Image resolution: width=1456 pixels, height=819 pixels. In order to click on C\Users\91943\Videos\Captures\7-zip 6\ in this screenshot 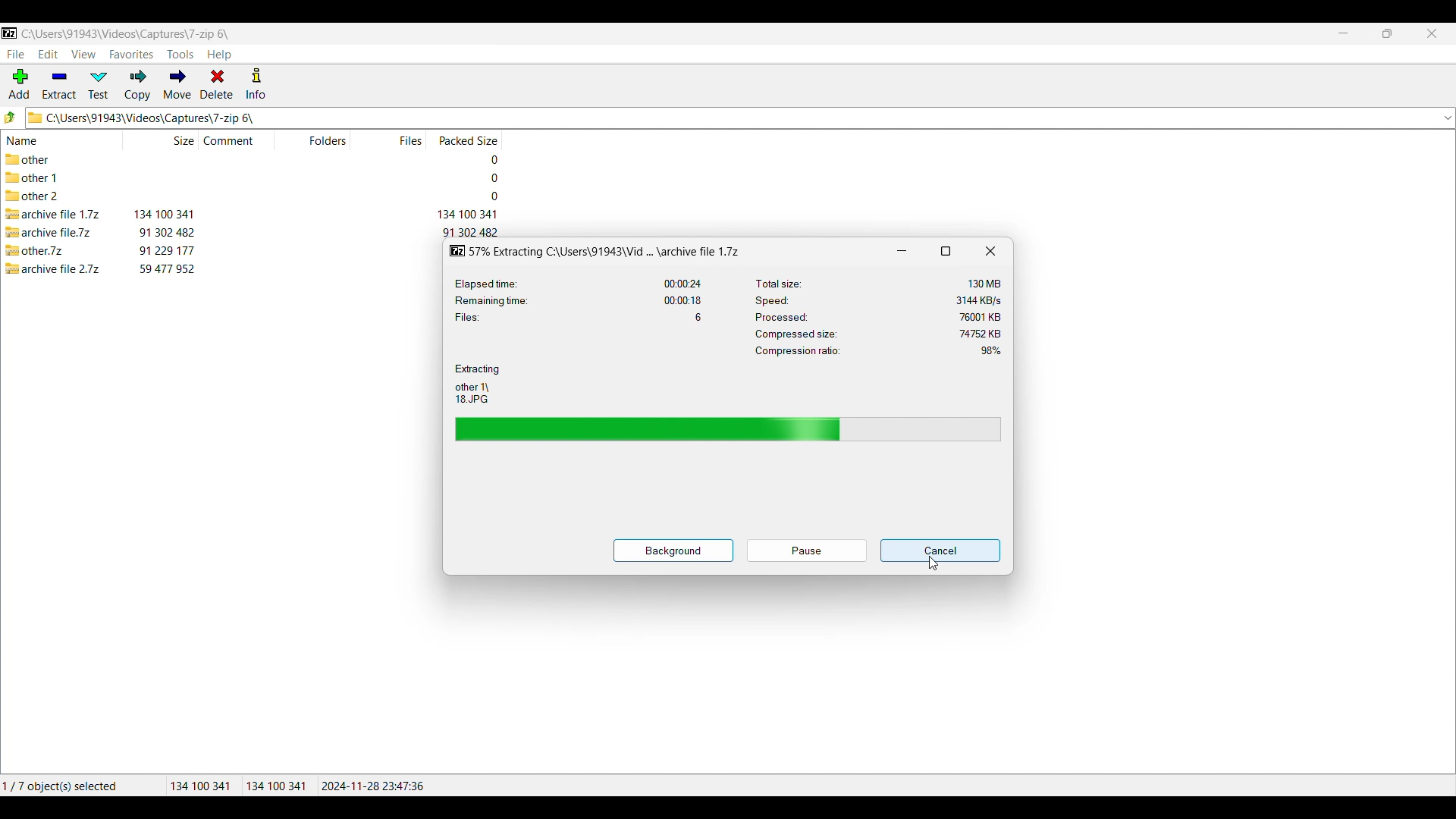, I will do `click(702, 118)`.